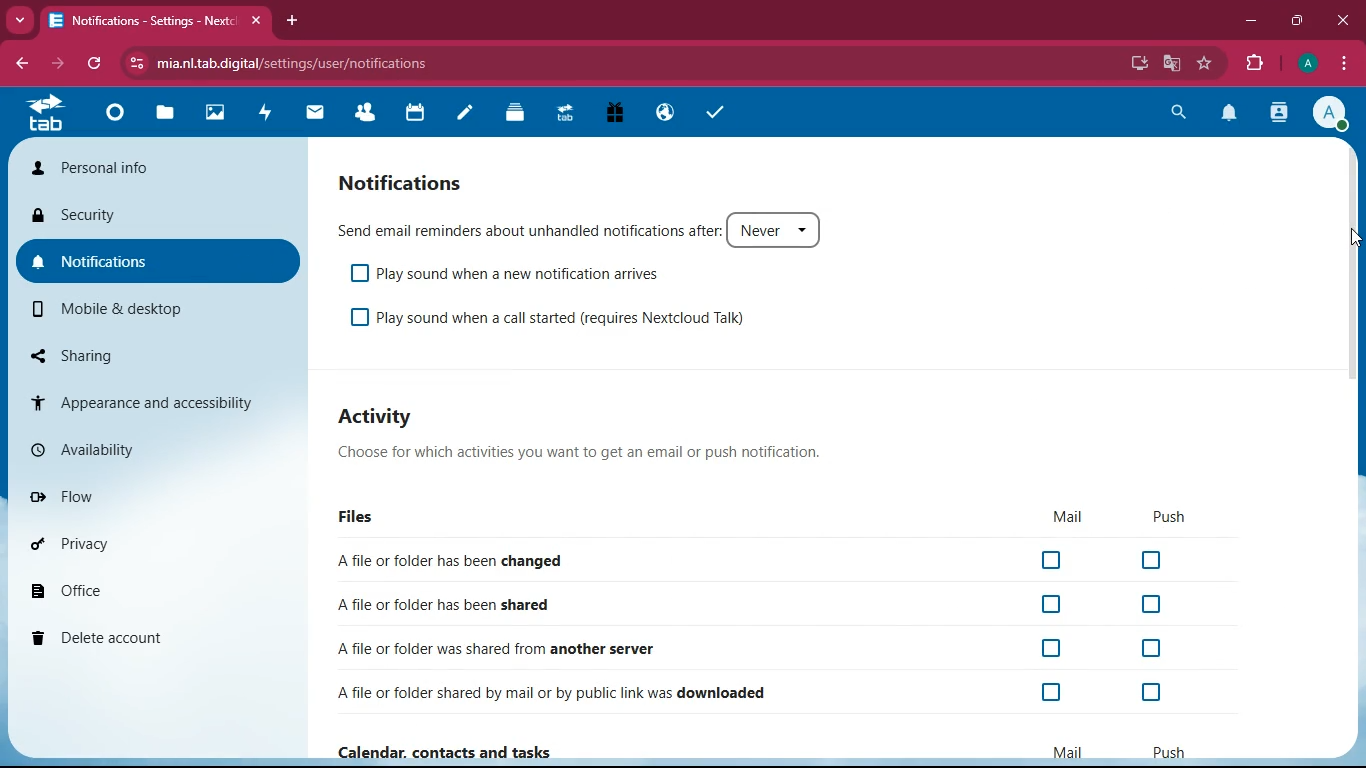 Image resolution: width=1366 pixels, height=768 pixels. Describe the element at coordinates (378, 419) in the screenshot. I see `activity` at that location.